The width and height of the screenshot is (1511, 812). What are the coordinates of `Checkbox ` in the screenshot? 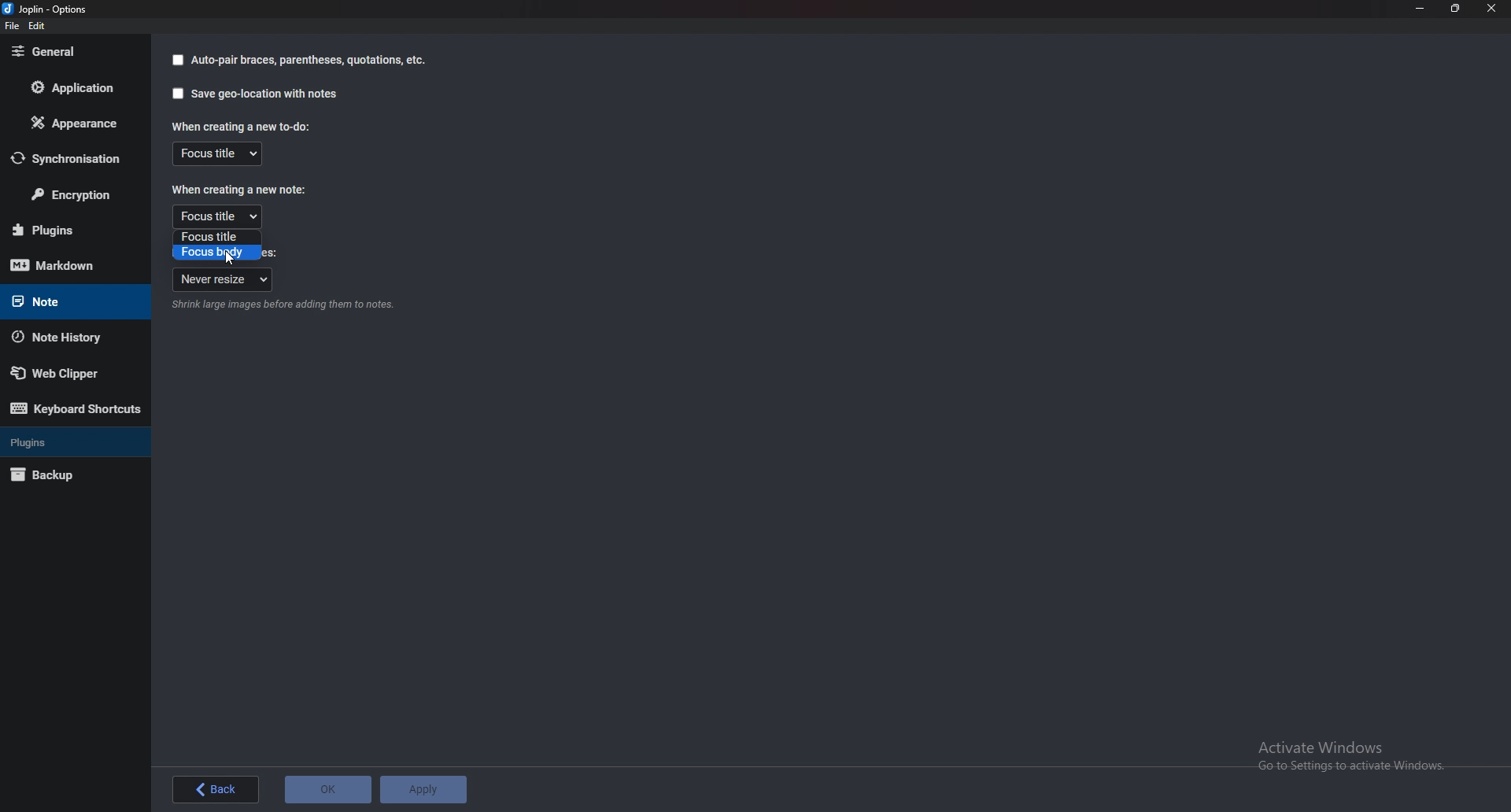 It's located at (177, 61).